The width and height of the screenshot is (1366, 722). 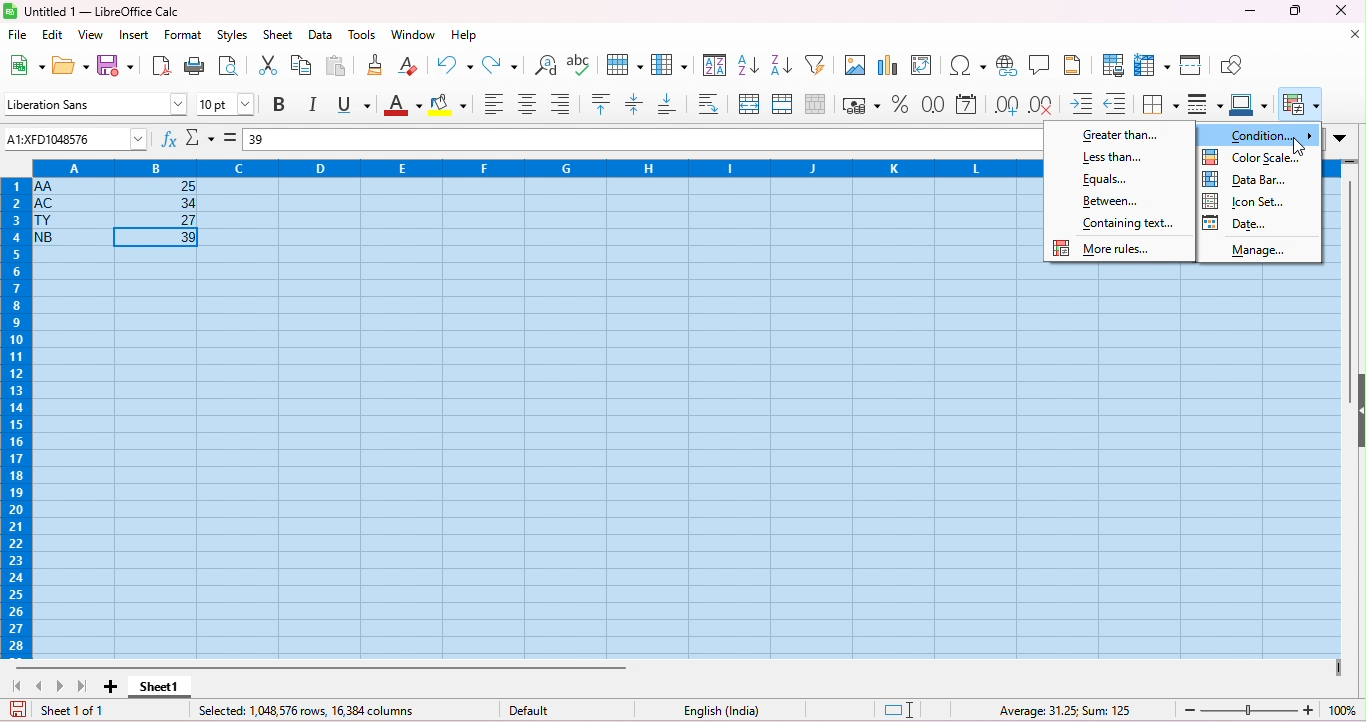 I want to click on first sheet, so click(x=22, y=686).